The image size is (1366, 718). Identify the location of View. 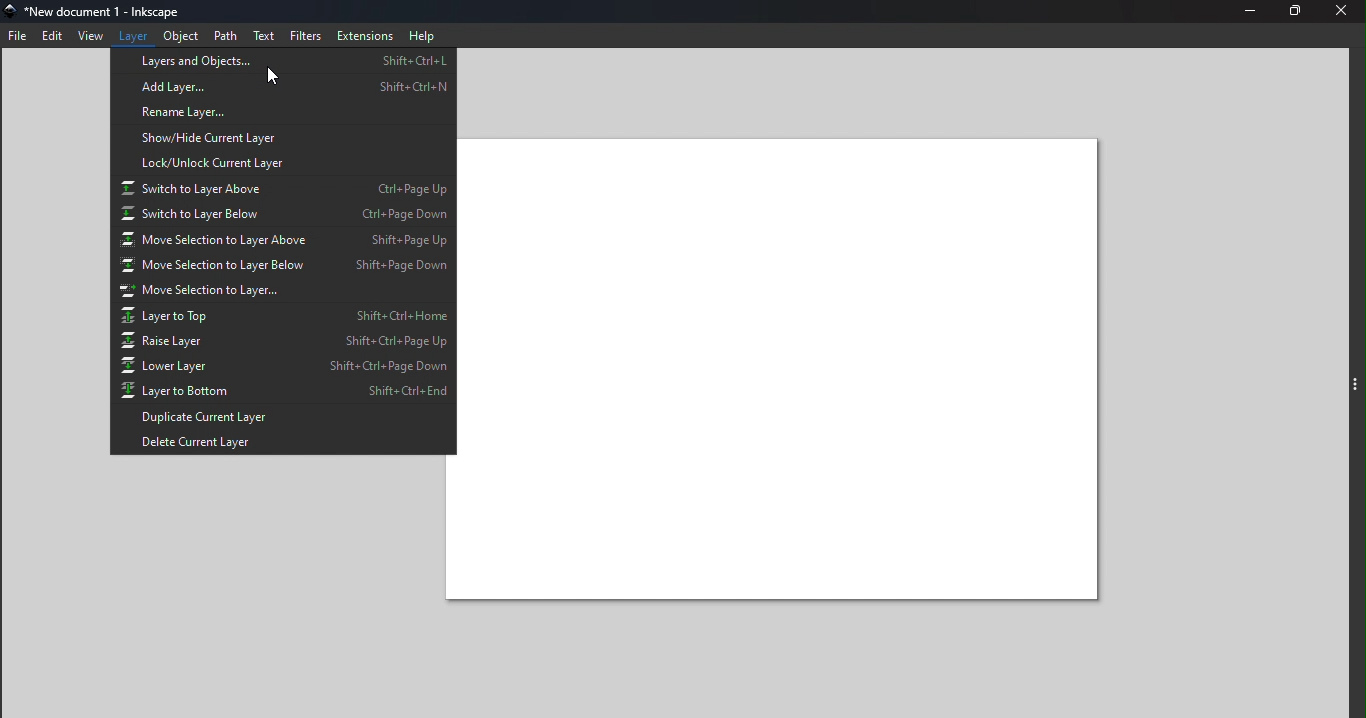
(87, 36).